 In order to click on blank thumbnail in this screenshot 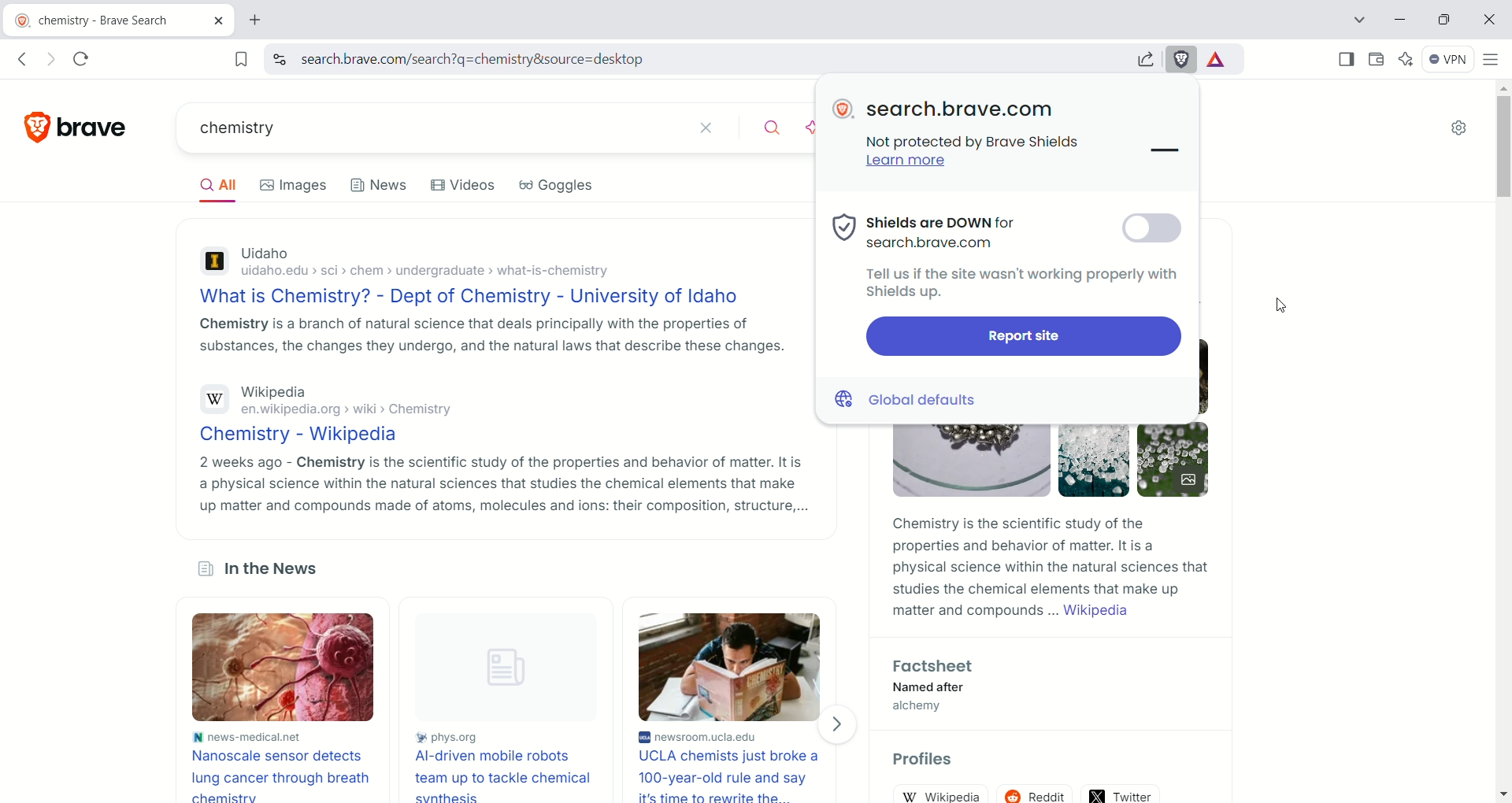, I will do `click(501, 668)`.